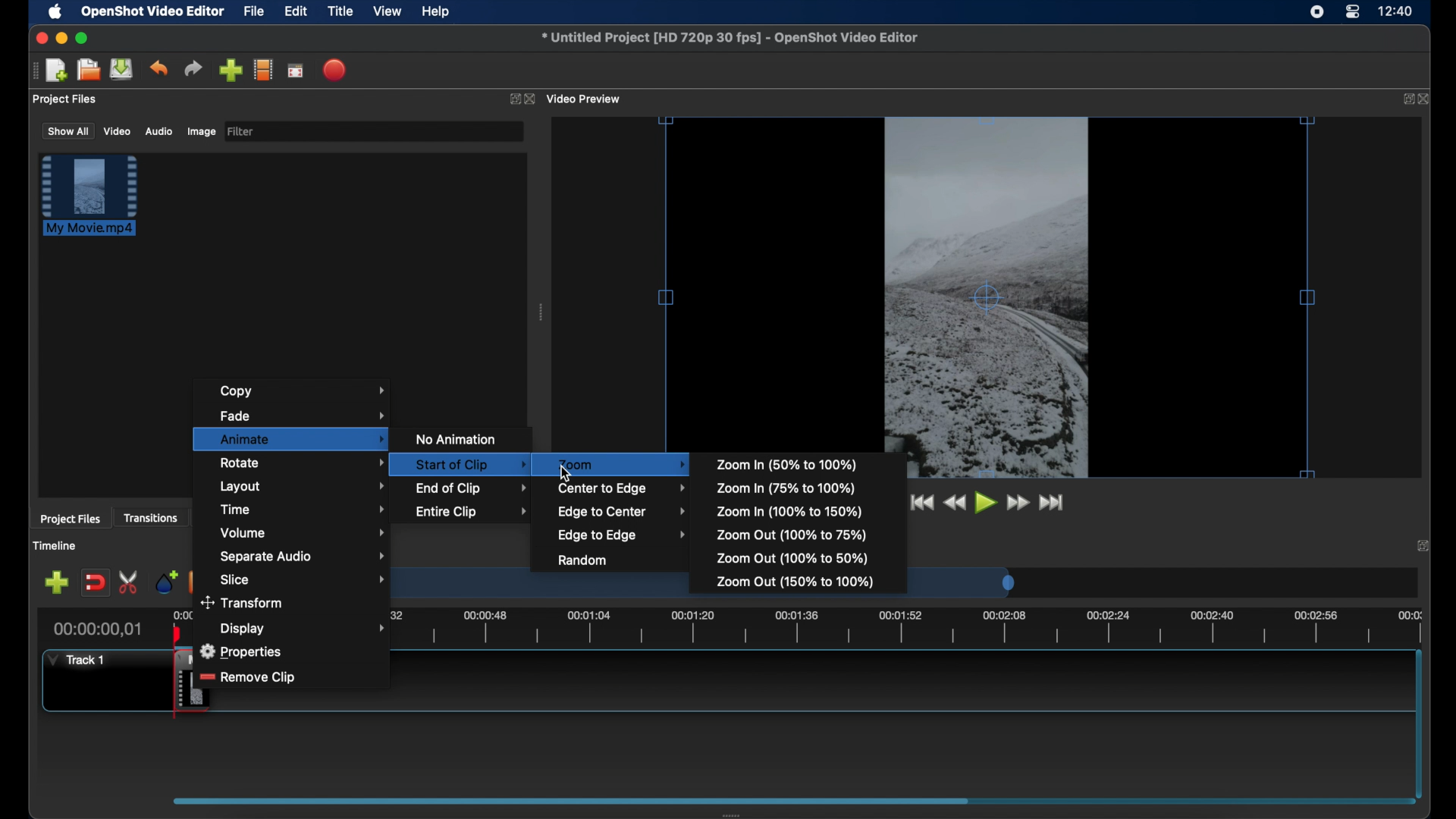 The height and width of the screenshot is (819, 1456). I want to click on start of clip menu, so click(457, 463).